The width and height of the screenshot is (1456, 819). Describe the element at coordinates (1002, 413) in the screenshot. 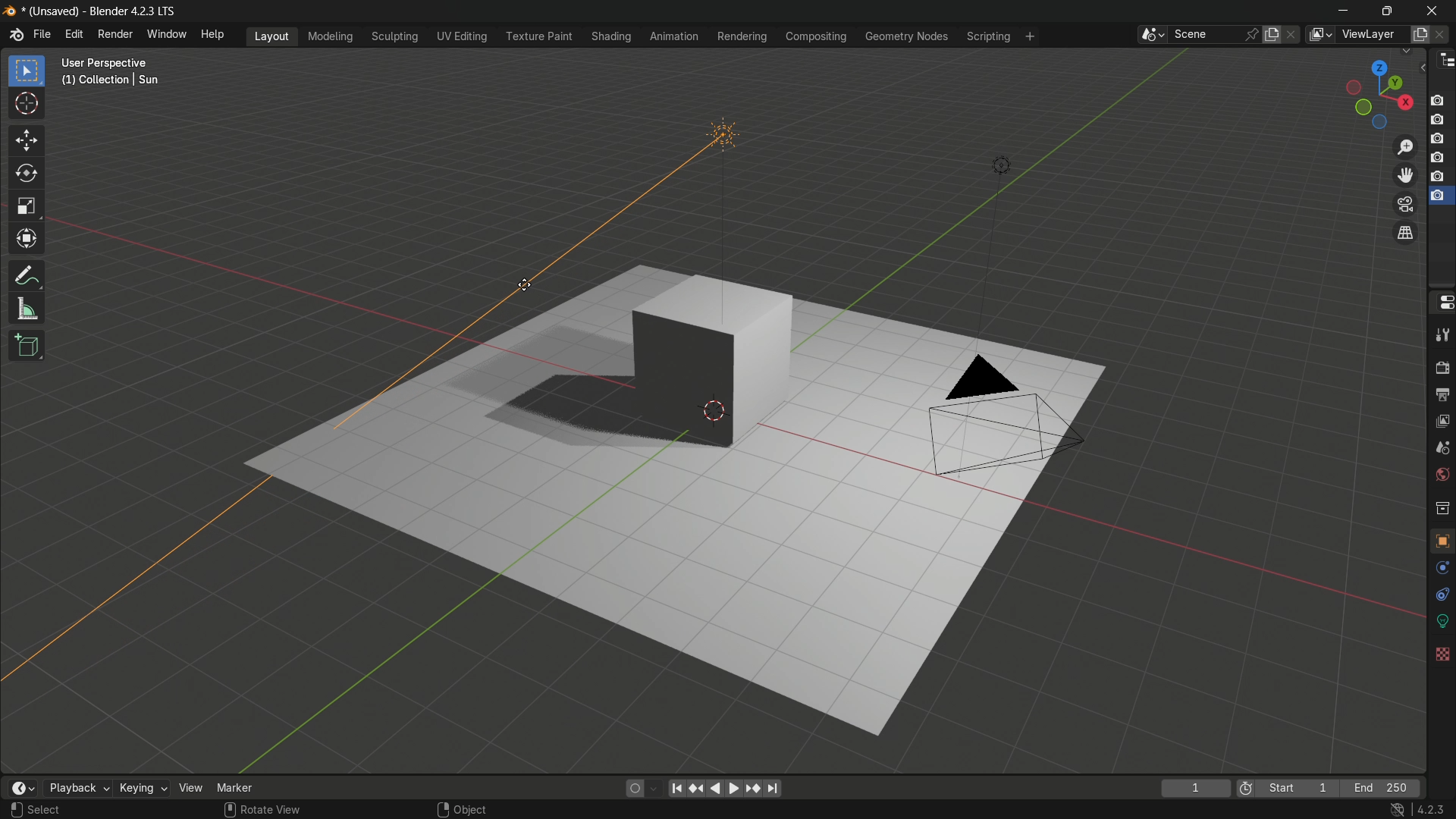

I see `camera` at that location.